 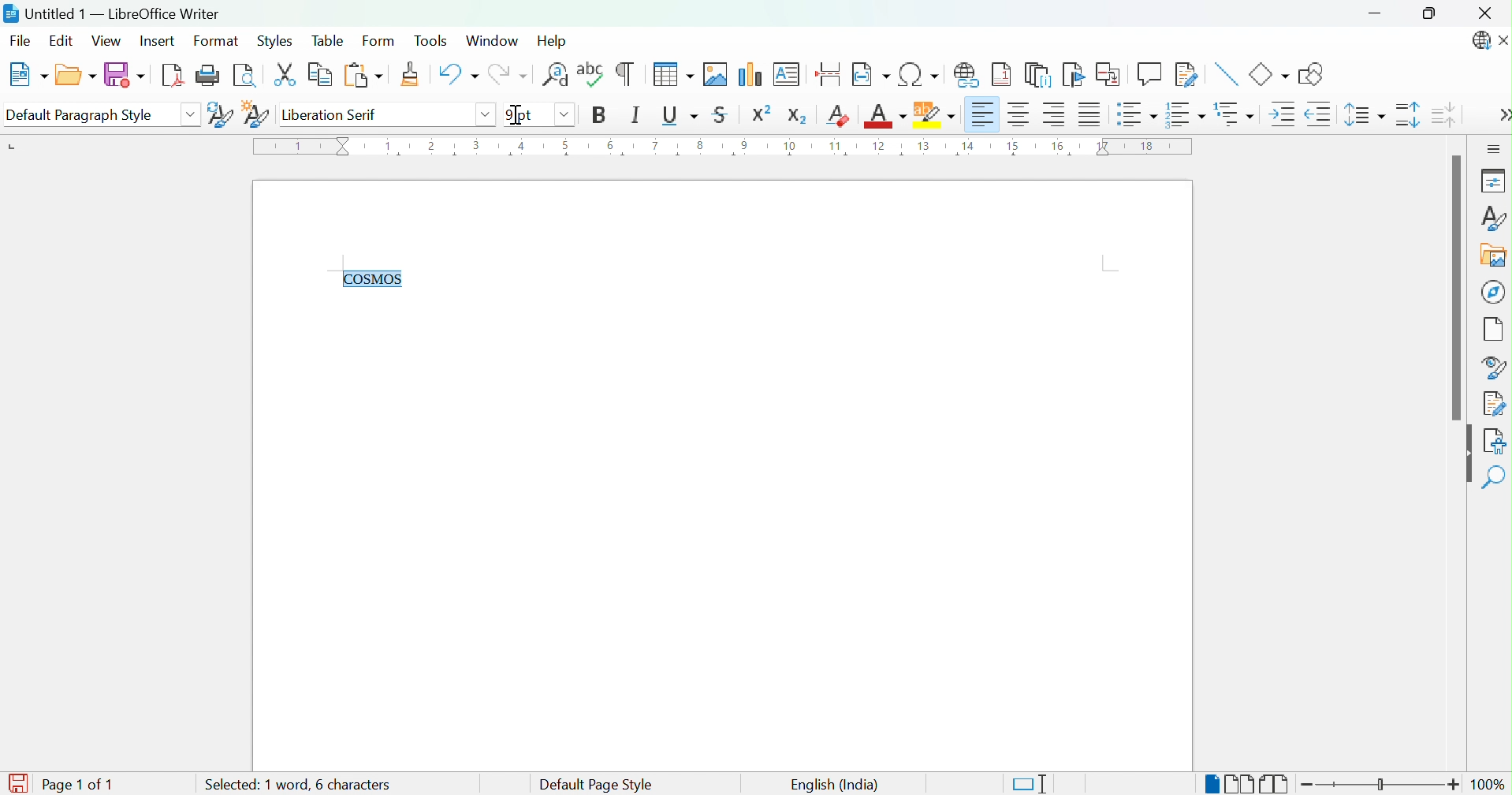 I want to click on View, so click(x=107, y=42).